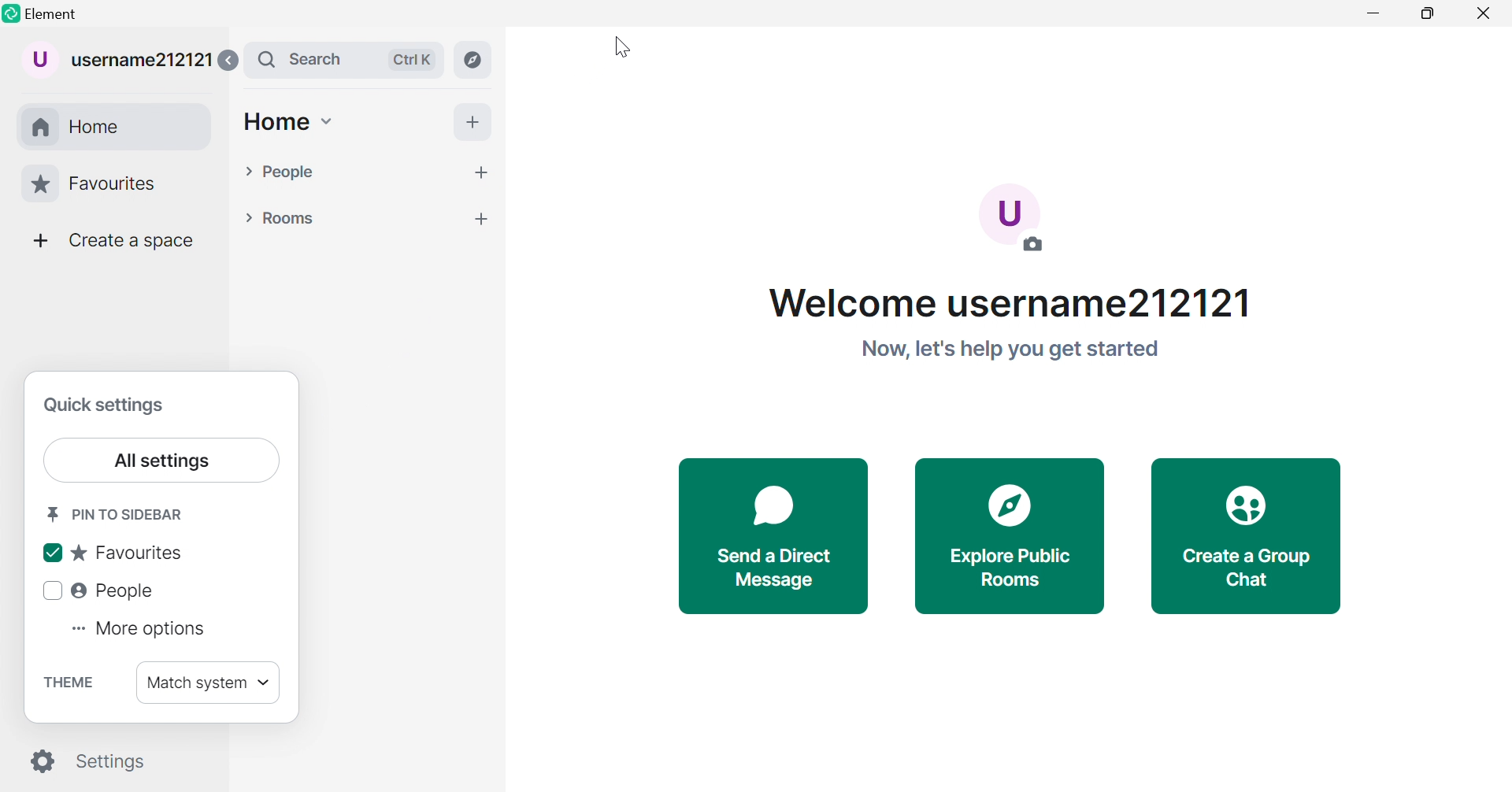 The height and width of the screenshot is (792, 1512). What do you see at coordinates (279, 220) in the screenshot?
I see `Rooms` at bounding box center [279, 220].